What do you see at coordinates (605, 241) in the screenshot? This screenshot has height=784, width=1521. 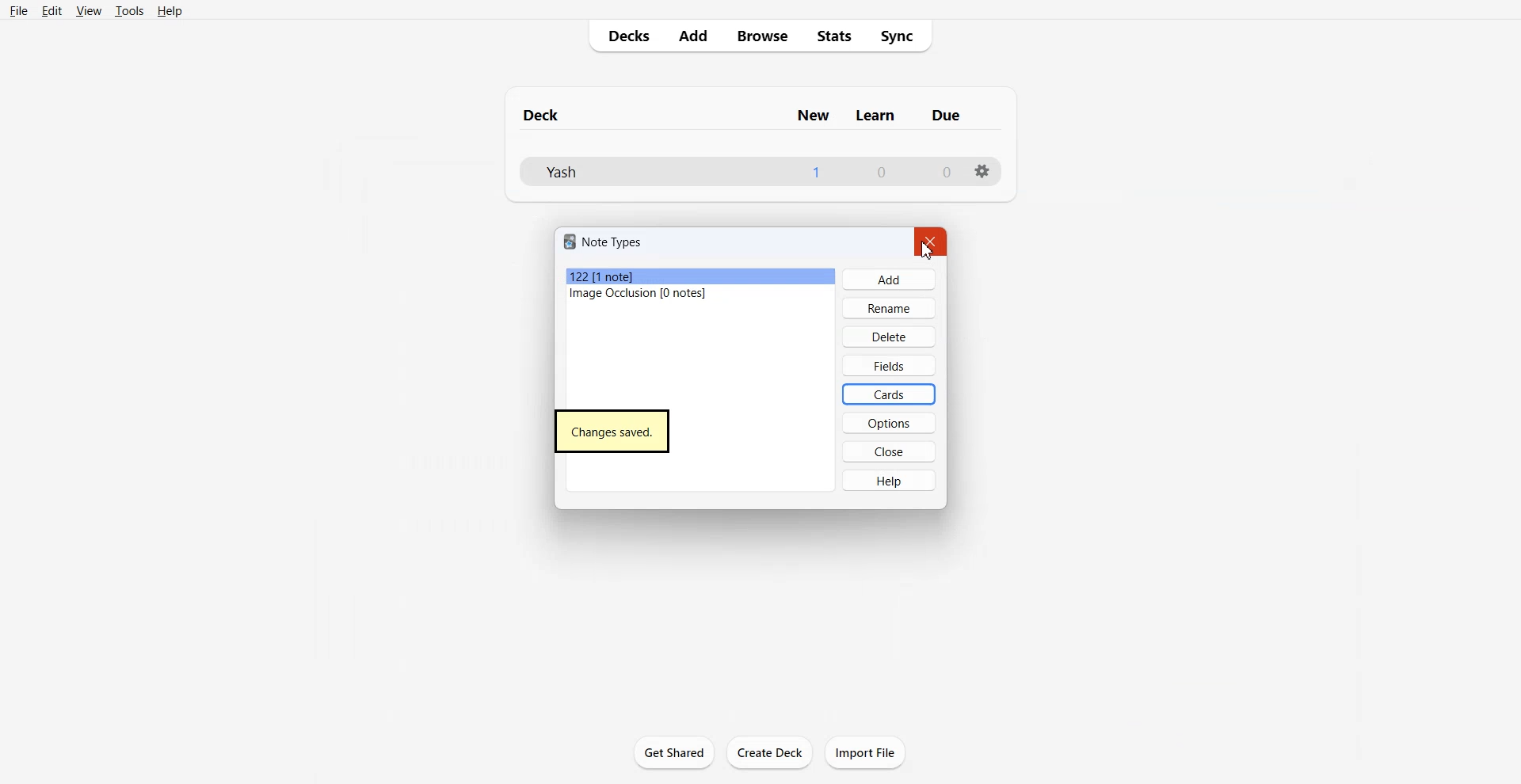 I see `Text` at bounding box center [605, 241].